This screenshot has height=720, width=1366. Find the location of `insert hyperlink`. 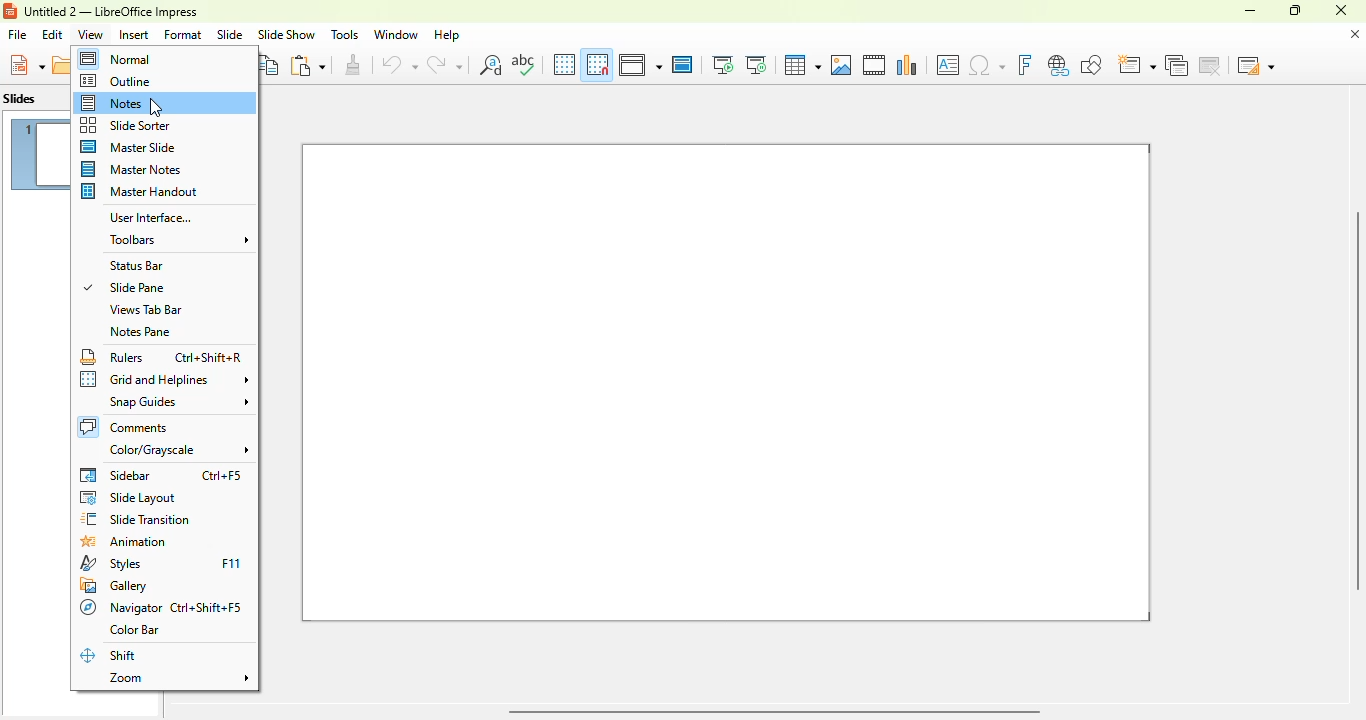

insert hyperlink is located at coordinates (1058, 64).